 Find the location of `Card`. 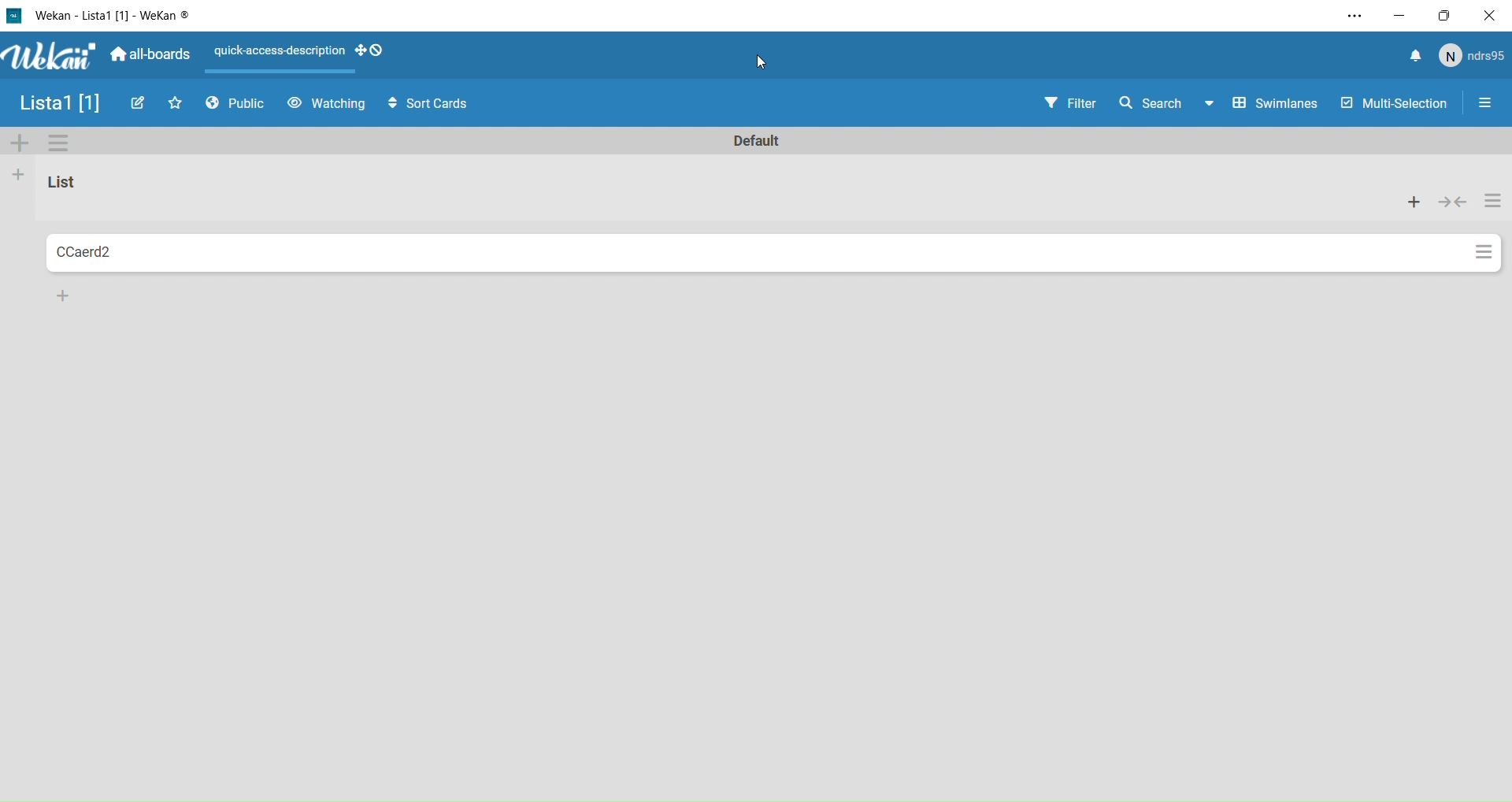

Card is located at coordinates (748, 255).